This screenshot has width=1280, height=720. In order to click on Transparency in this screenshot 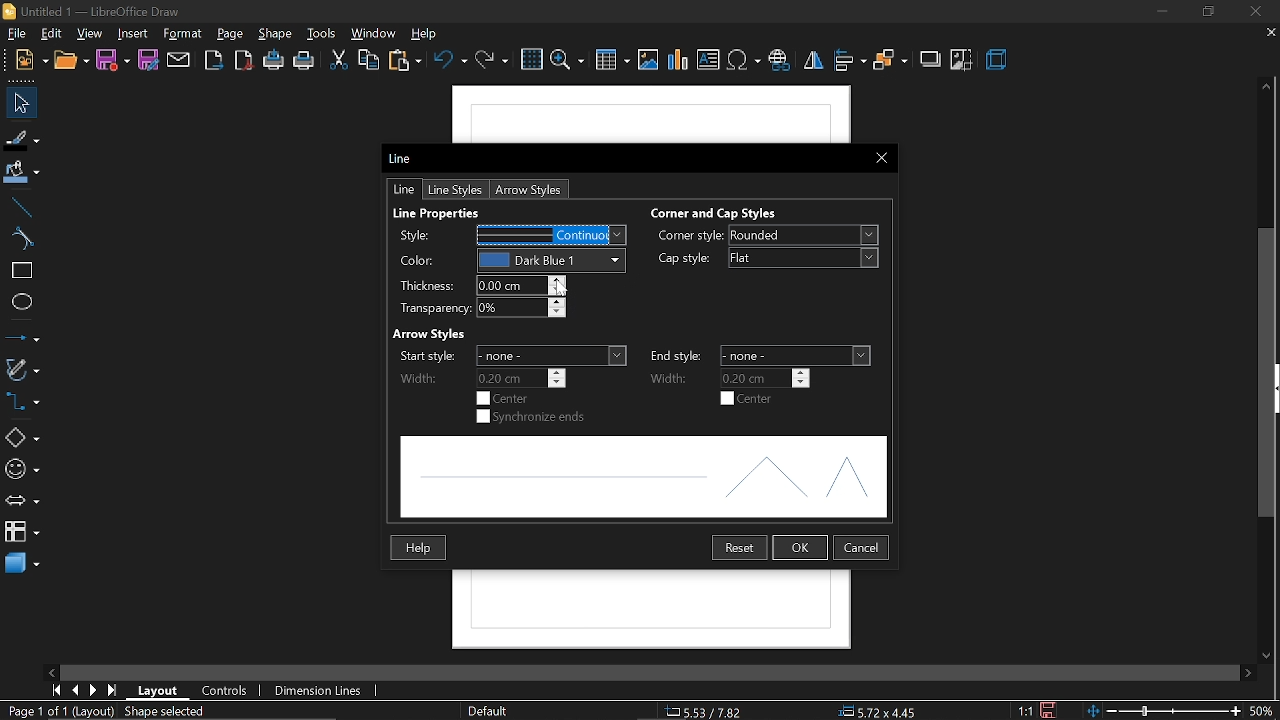, I will do `click(427, 309)`.